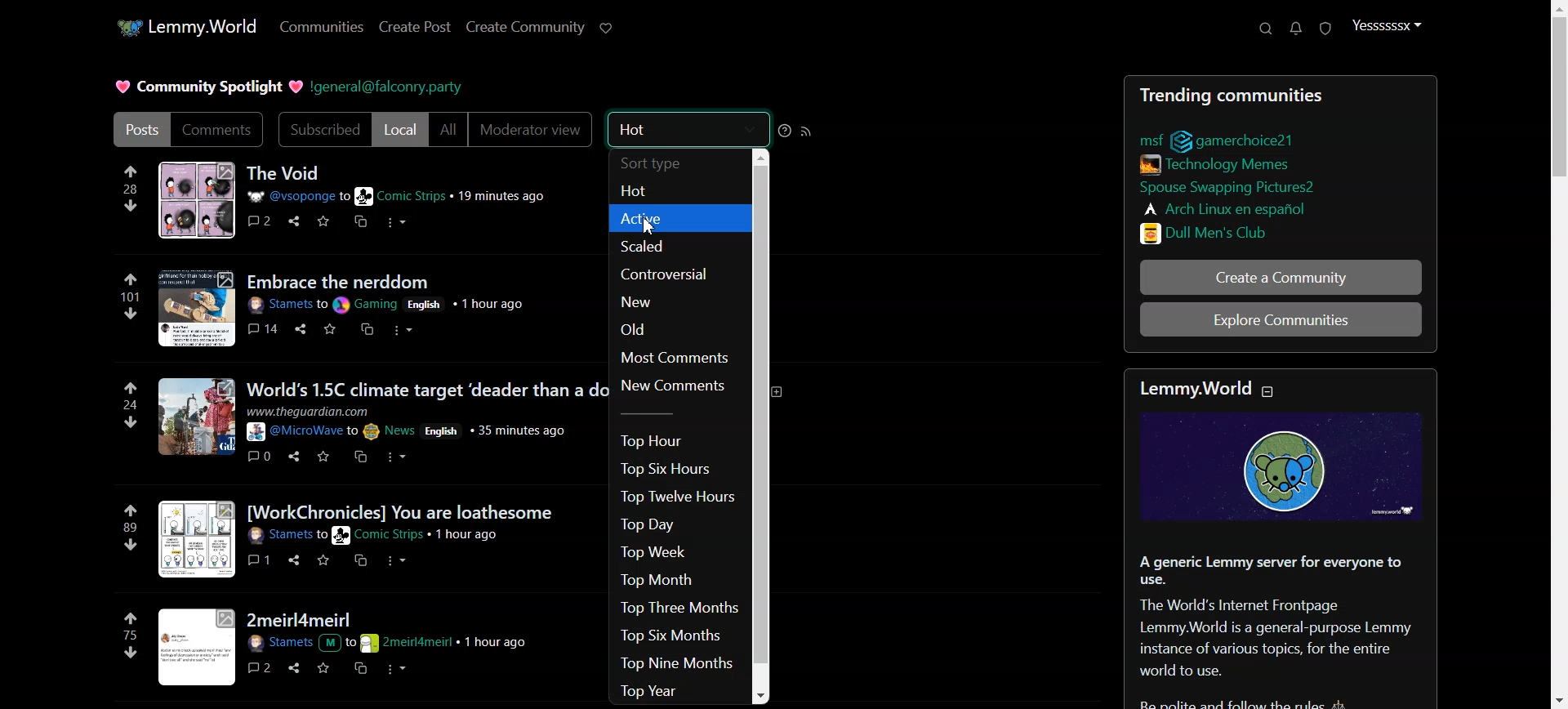 Image resolution: width=1568 pixels, height=709 pixels. Describe the element at coordinates (675, 524) in the screenshot. I see `Top Day` at that location.